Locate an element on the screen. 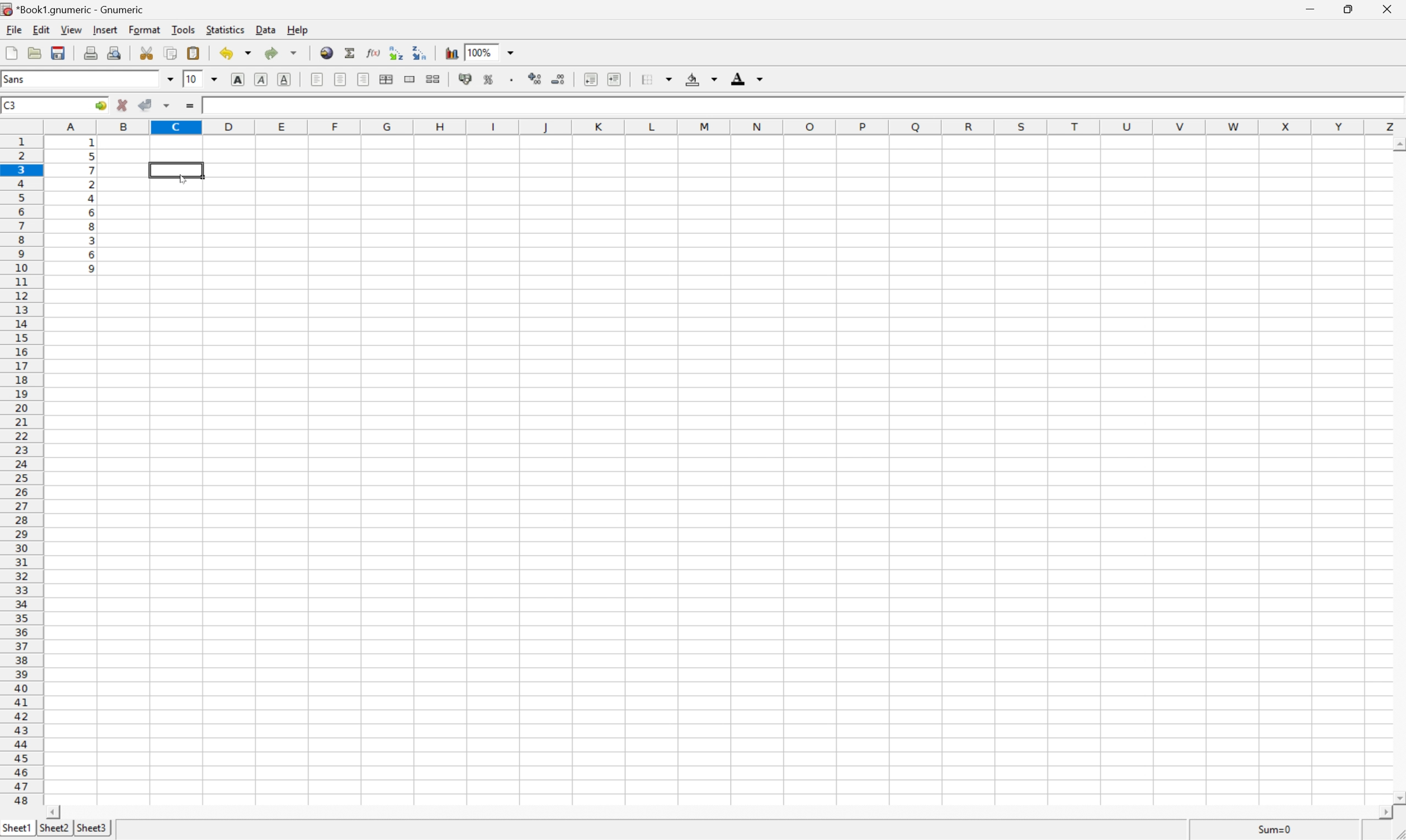  foreground is located at coordinates (746, 78).